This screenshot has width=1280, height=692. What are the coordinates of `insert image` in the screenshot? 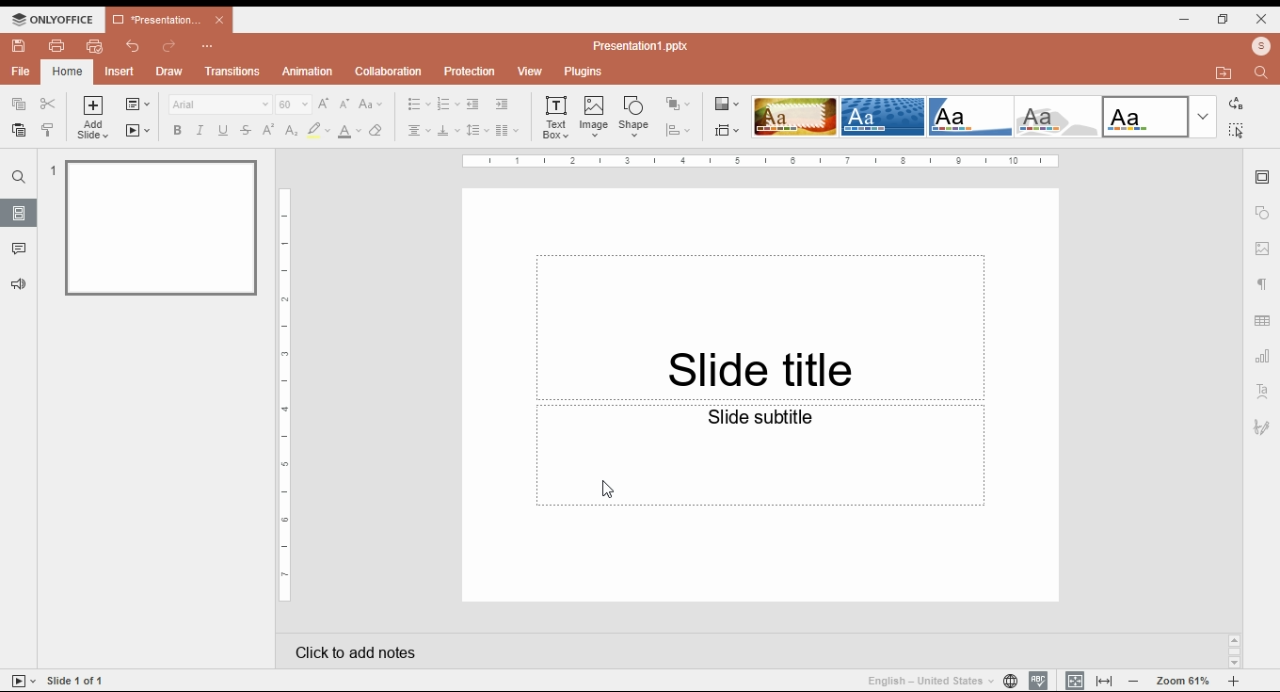 It's located at (595, 116).